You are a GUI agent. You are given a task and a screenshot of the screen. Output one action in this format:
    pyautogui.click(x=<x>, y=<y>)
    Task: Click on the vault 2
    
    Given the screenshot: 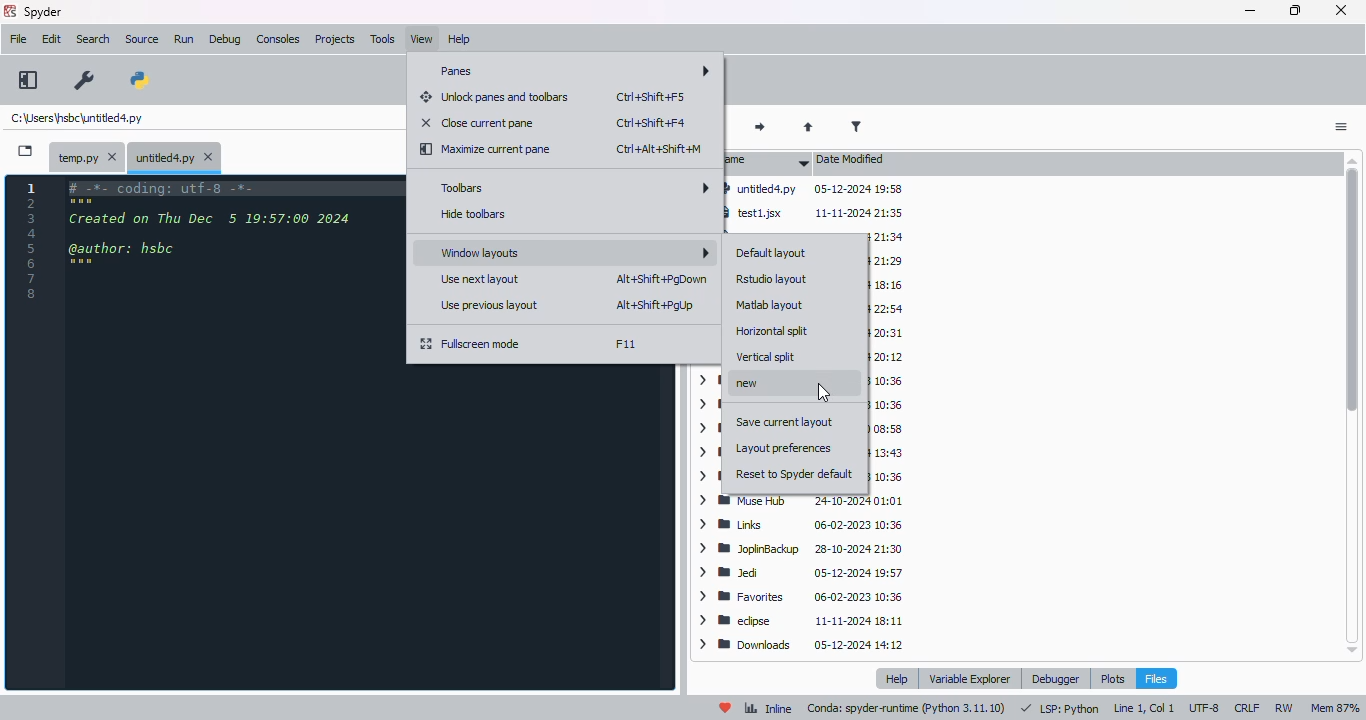 What is the action you would take?
    pyautogui.click(x=890, y=333)
    